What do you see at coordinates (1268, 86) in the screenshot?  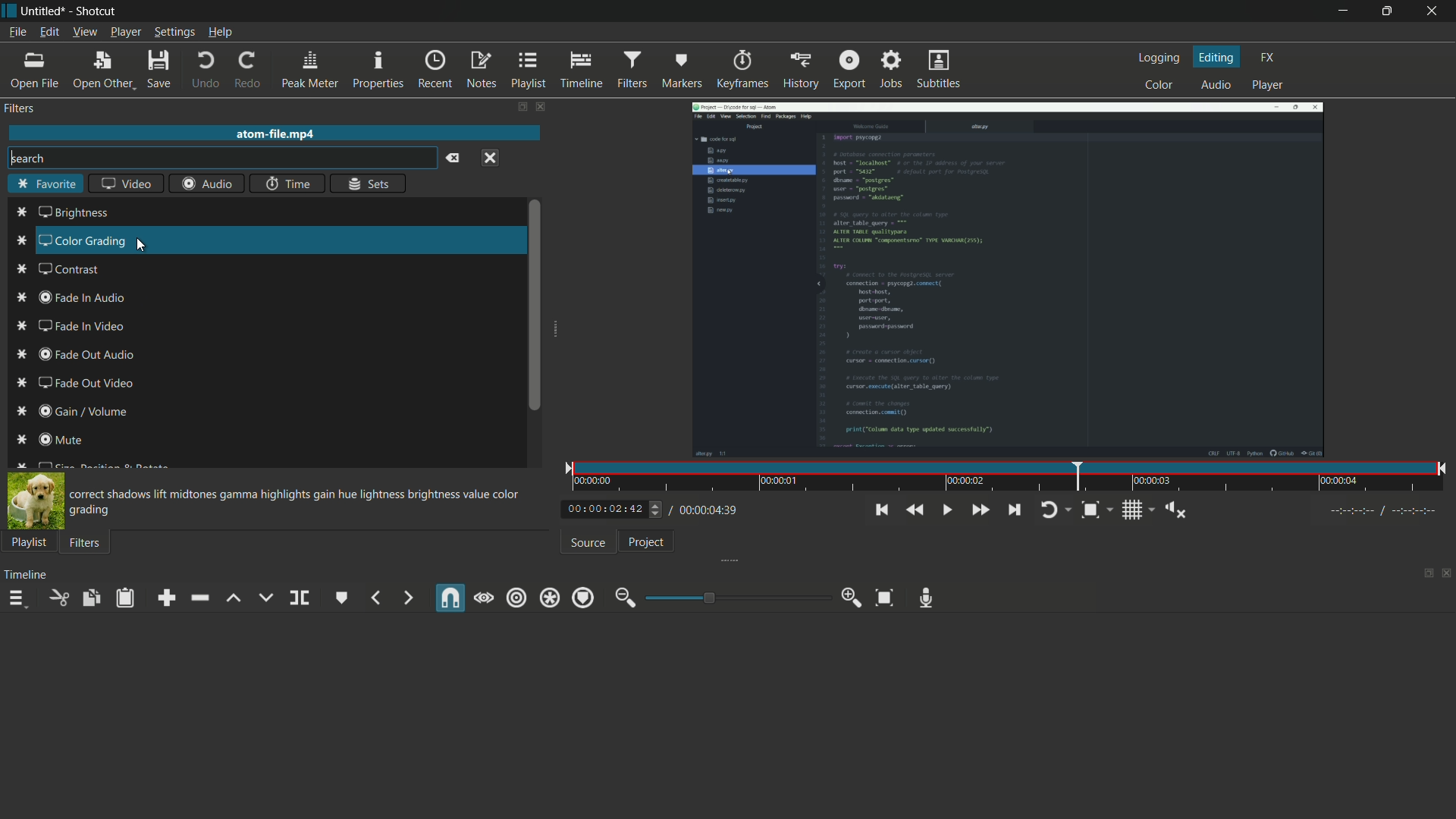 I see `player` at bounding box center [1268, 86].